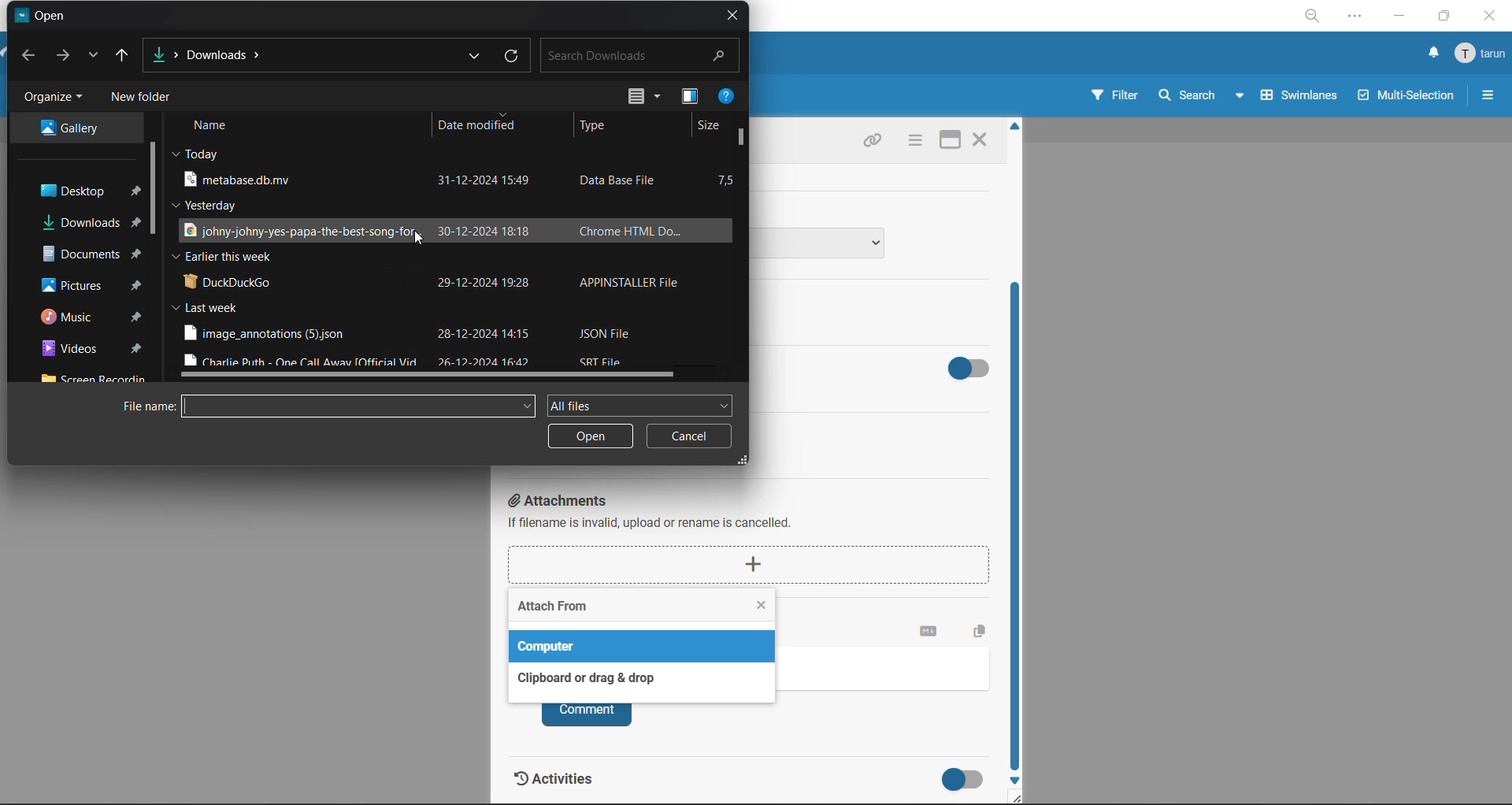 Image resolution: width=1512 pixels, height=805 pixels. I want to click on maximize, so click(947, 142).